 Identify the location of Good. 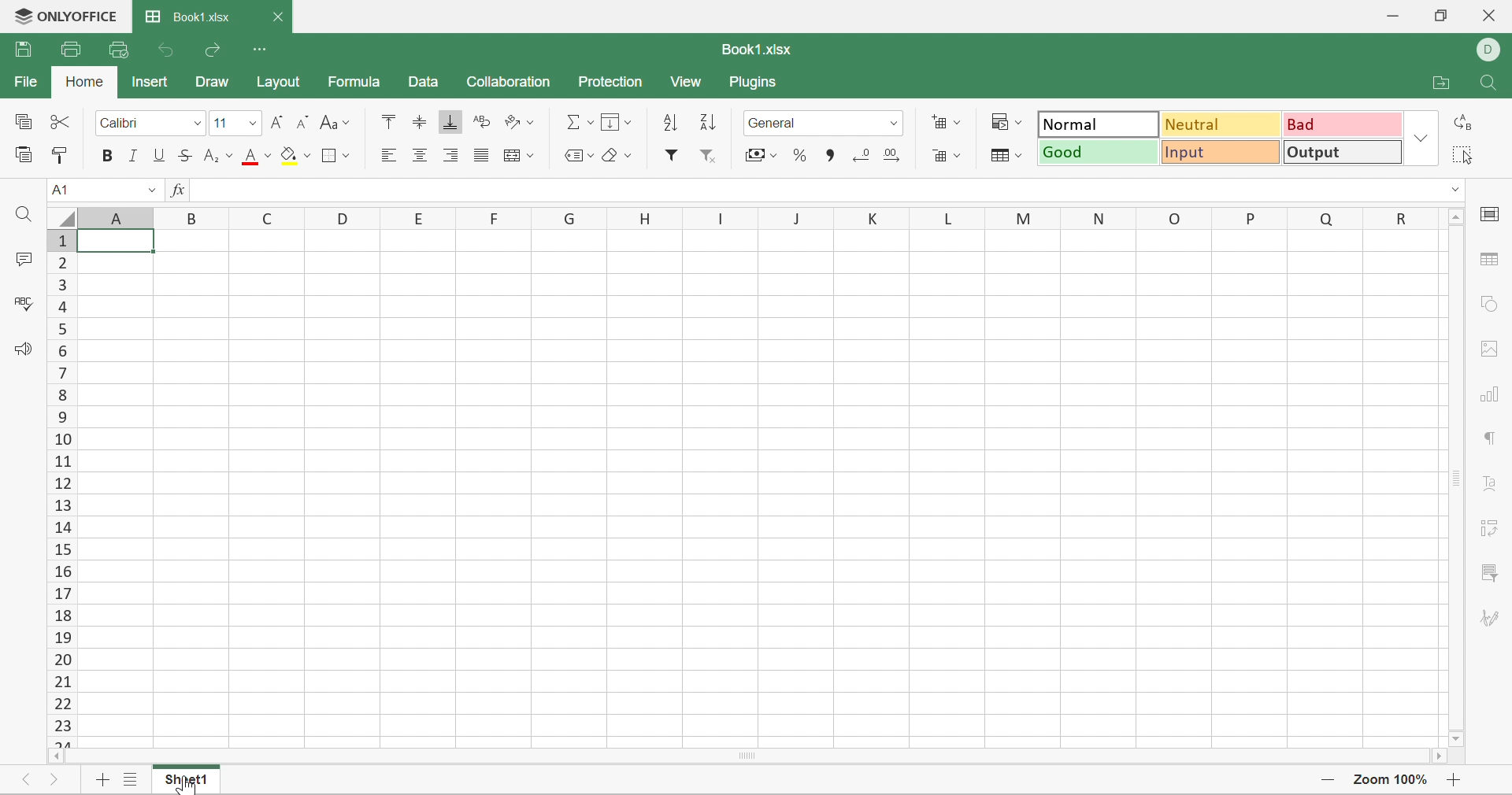
(1099, 152).